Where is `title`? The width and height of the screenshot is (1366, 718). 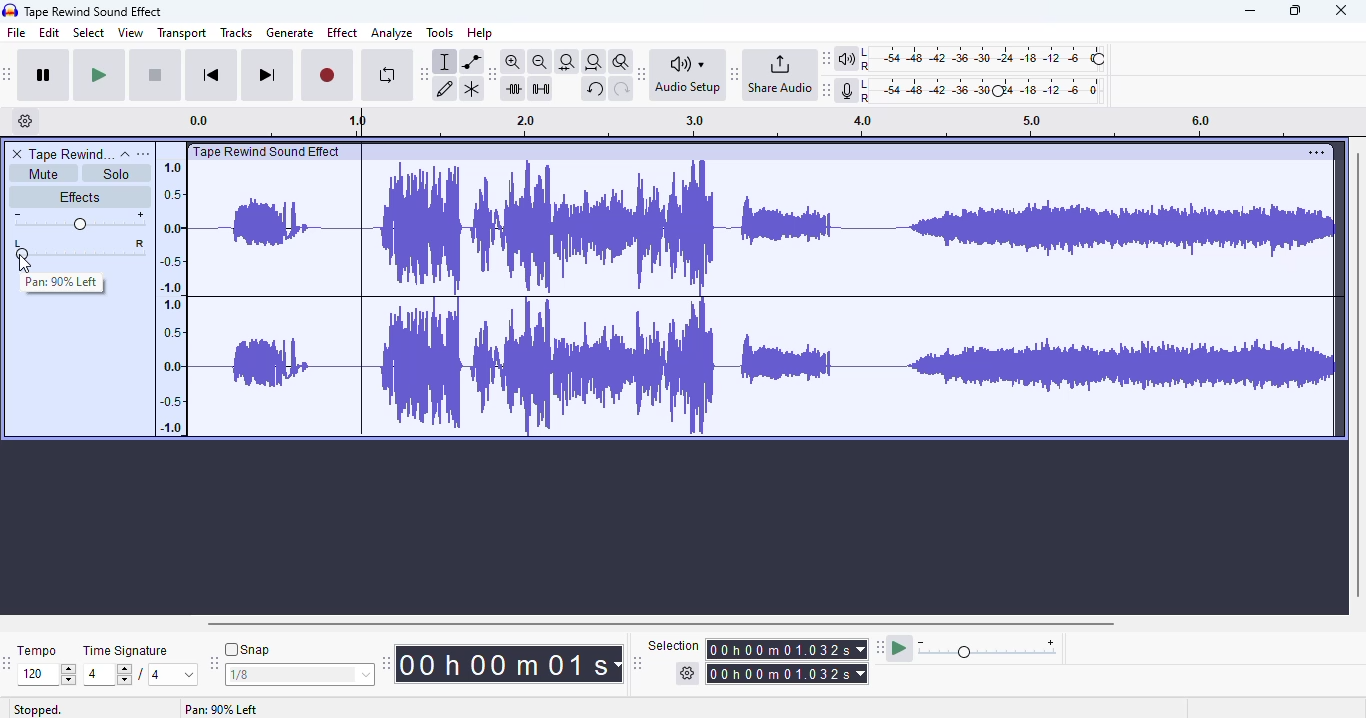 title is located at coordinates (94, 12).